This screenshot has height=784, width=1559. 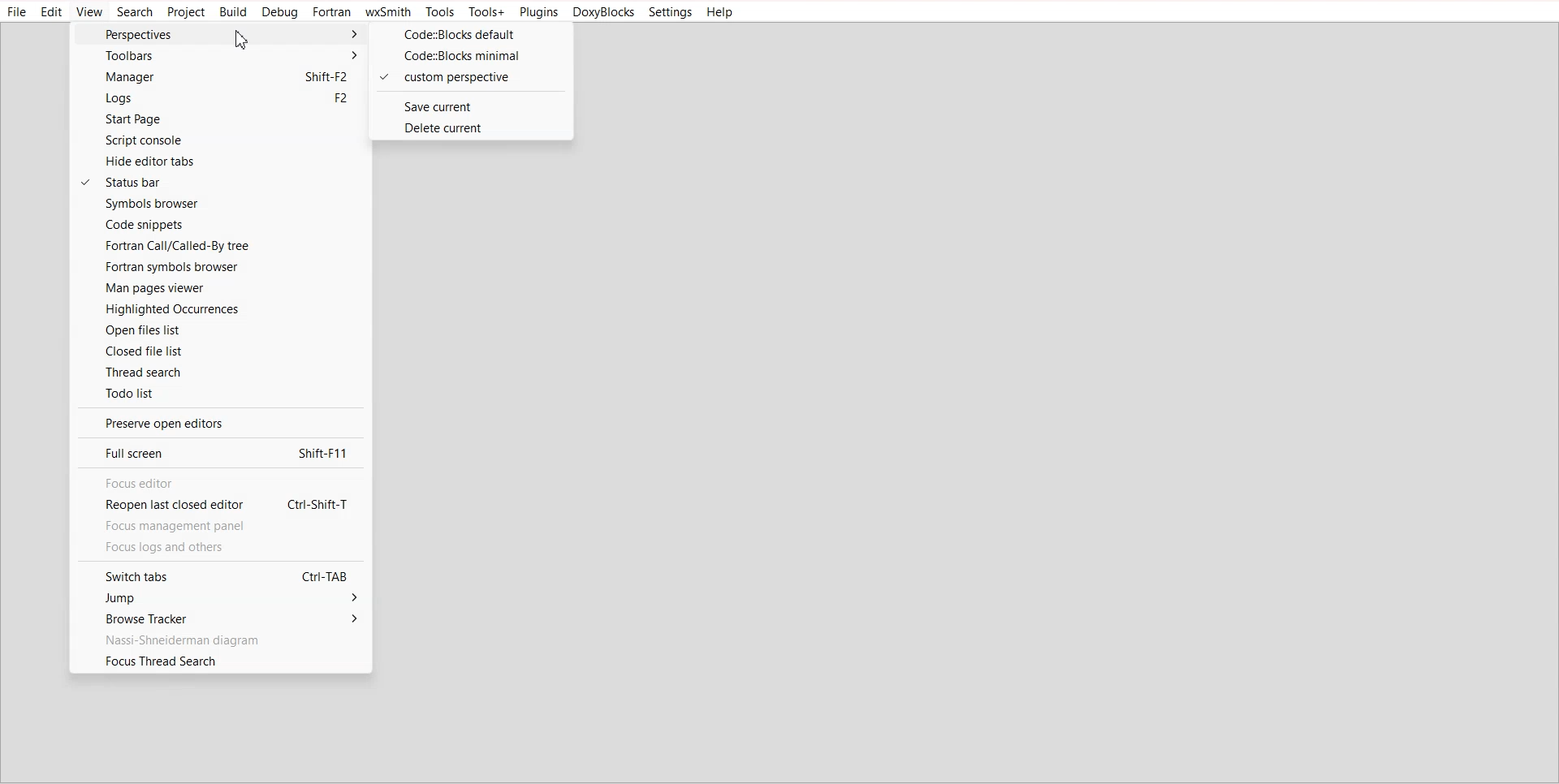 What do you see at coordinates (89, 12) in the screenshot?
I see `View` at bounding box center [89, 12].